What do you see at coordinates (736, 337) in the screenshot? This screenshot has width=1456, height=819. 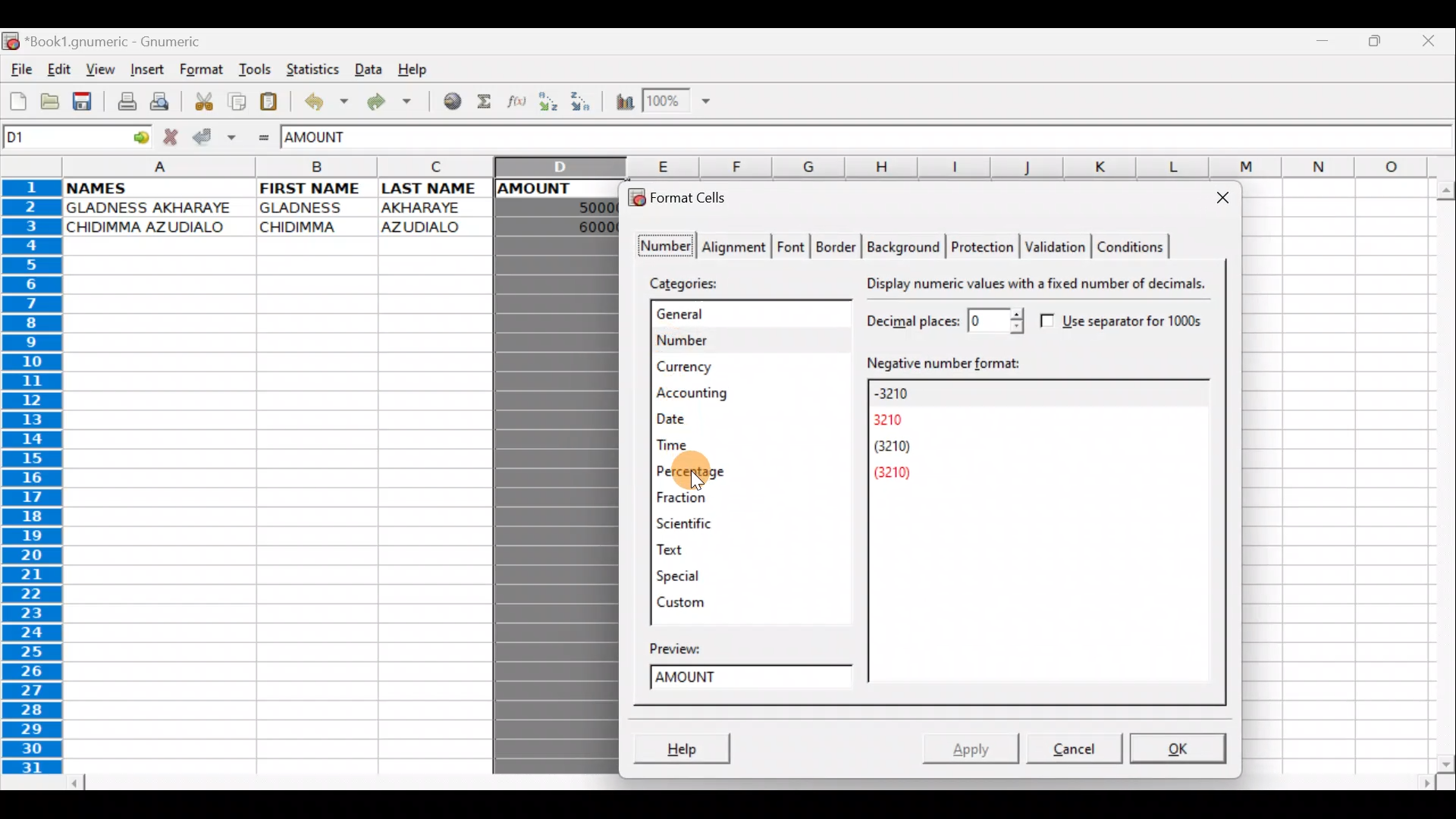 I see `Number` at bounding box center [736, 337].